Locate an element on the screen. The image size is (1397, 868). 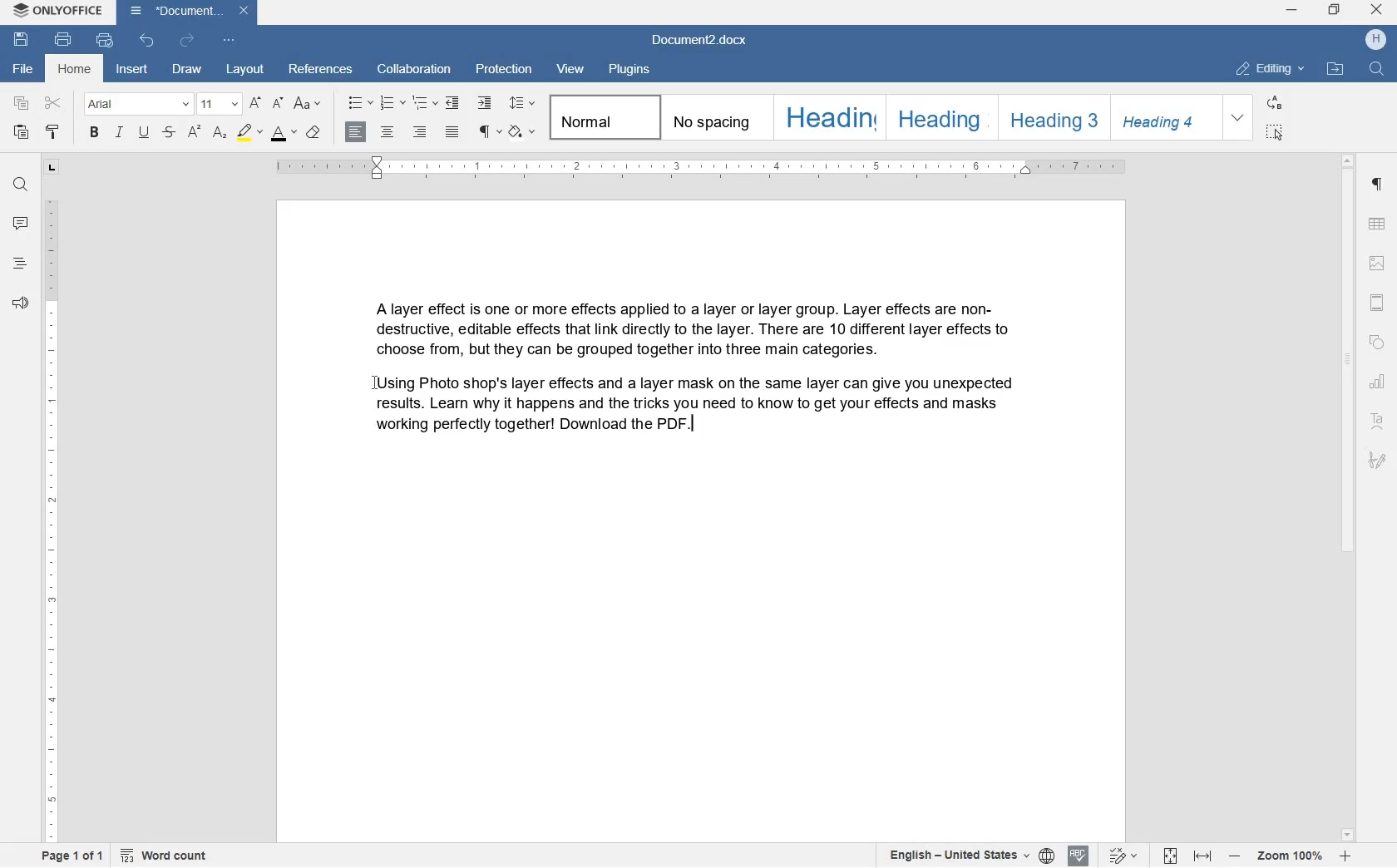
CLEAR STYLE is located at coordinates (317, 133).